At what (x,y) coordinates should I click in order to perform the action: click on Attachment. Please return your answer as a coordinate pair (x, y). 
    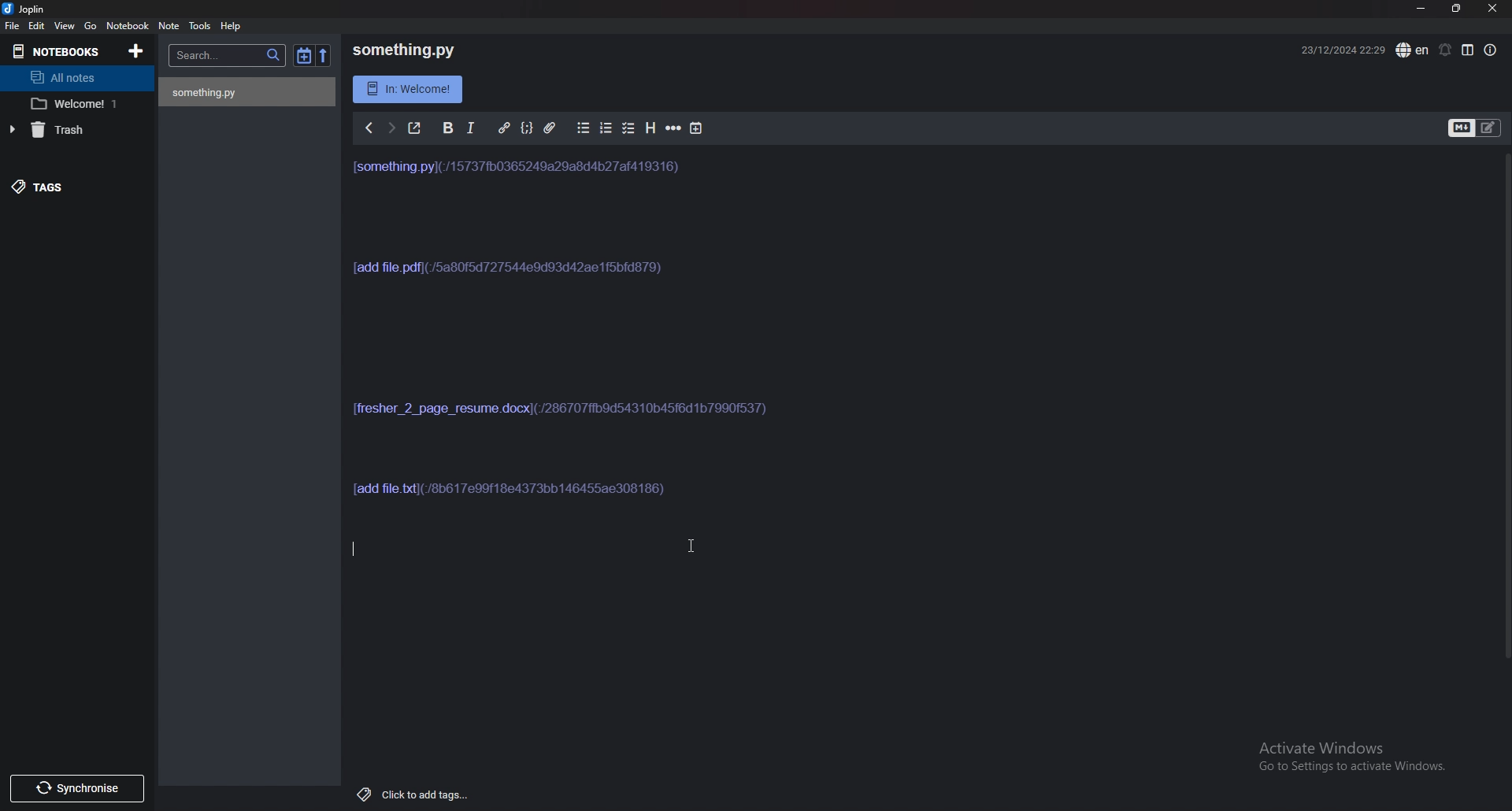
    Looking at the image, I should click on (552, 128).